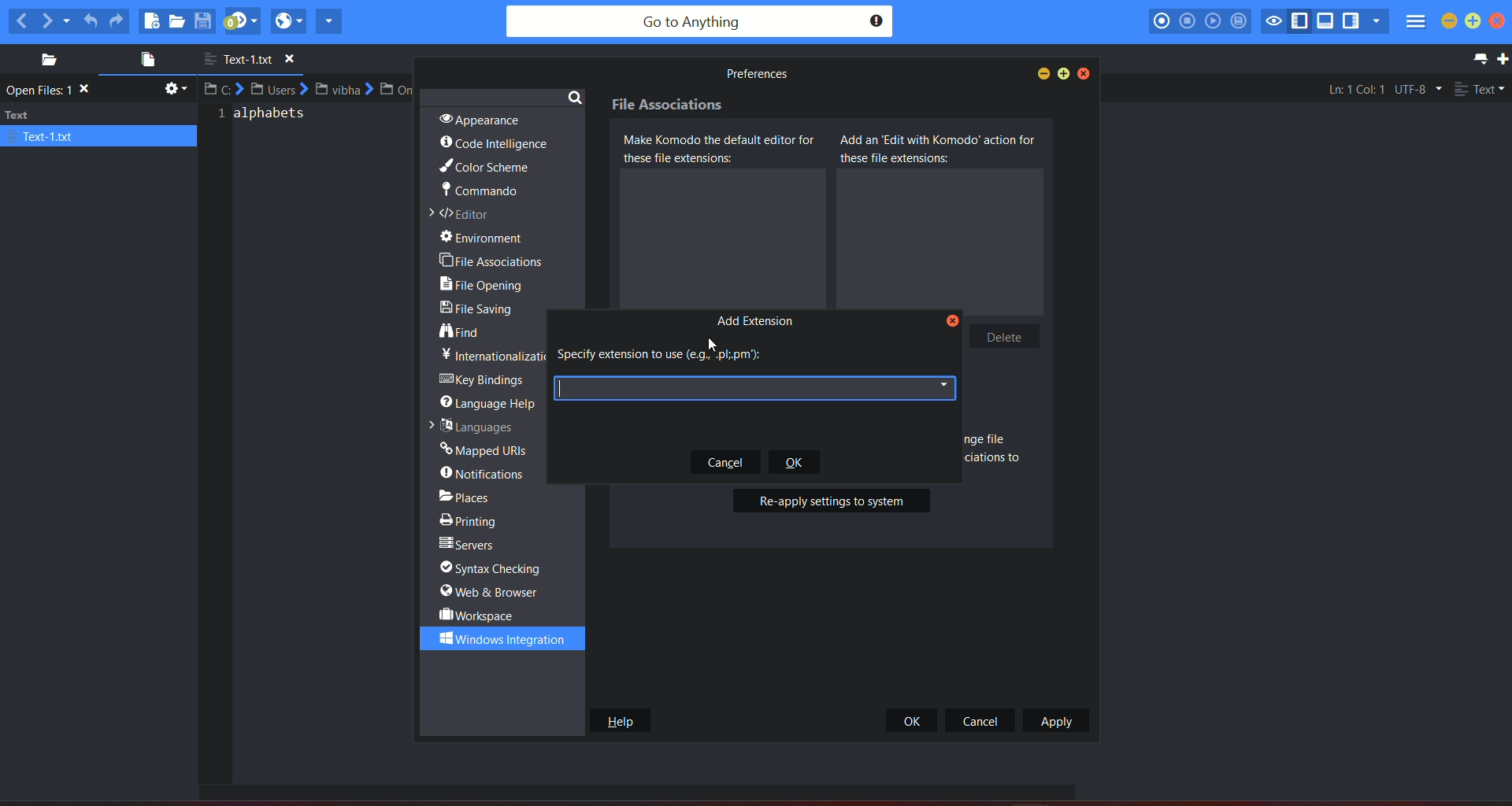 Image resolution: width=1512 pixels, height=806 pixels. I want to click on Cursor, so click(713, 346).